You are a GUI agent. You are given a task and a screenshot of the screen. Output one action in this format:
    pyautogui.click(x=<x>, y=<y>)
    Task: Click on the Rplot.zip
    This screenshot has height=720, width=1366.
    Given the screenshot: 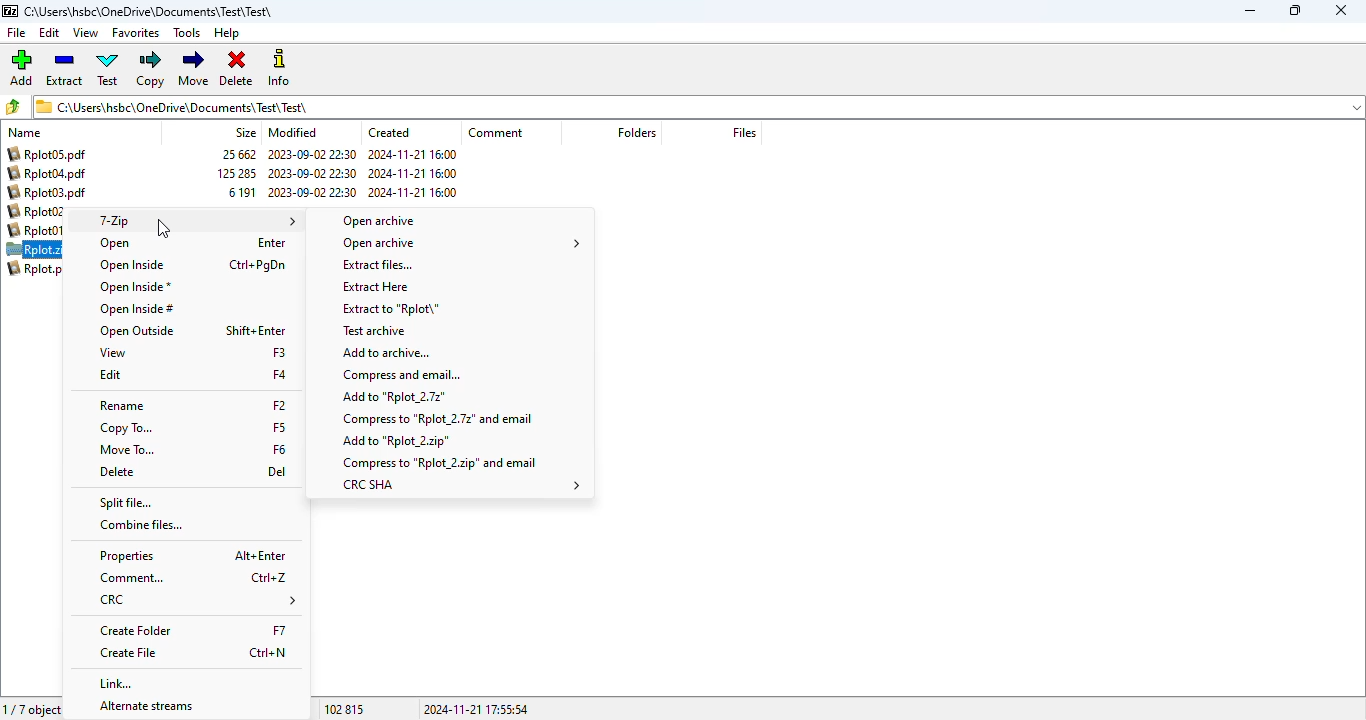 What is the action you would take?
    pyautogui.click(x=35, y=250)
    